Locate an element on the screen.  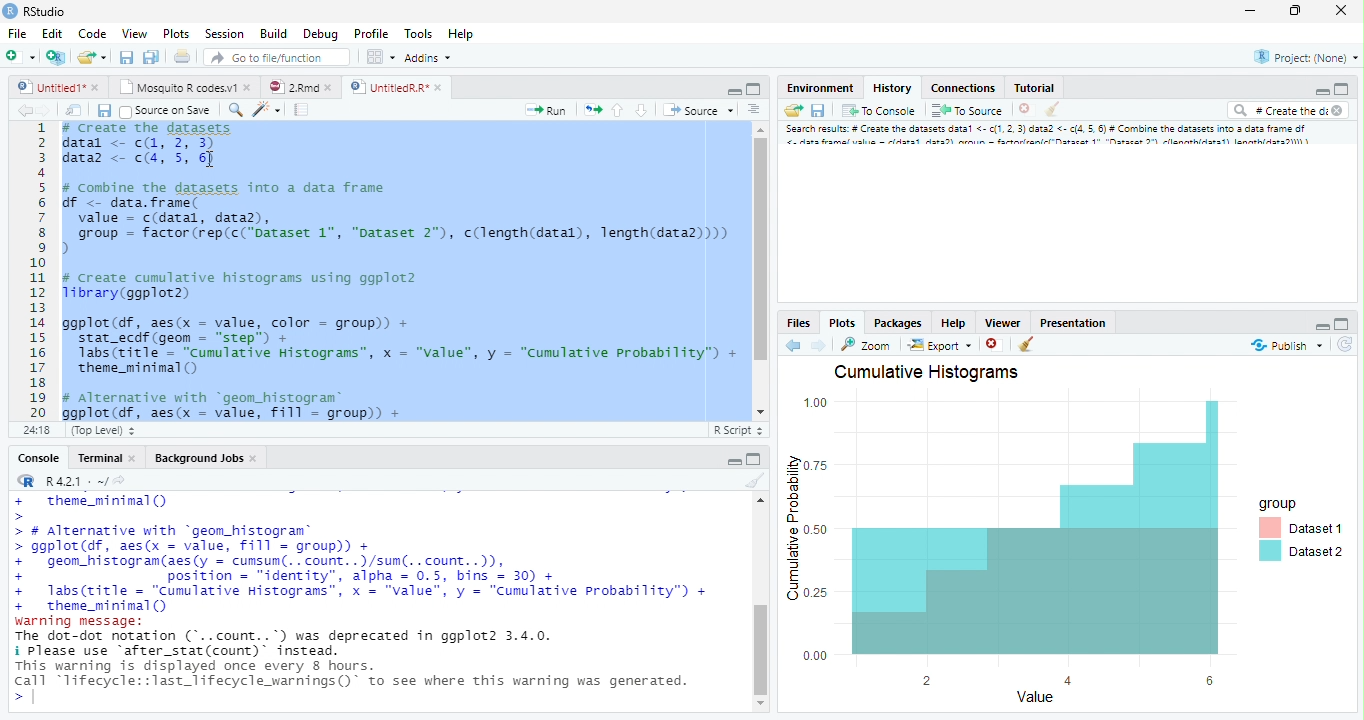
Build is located at coordinates (275, 34).